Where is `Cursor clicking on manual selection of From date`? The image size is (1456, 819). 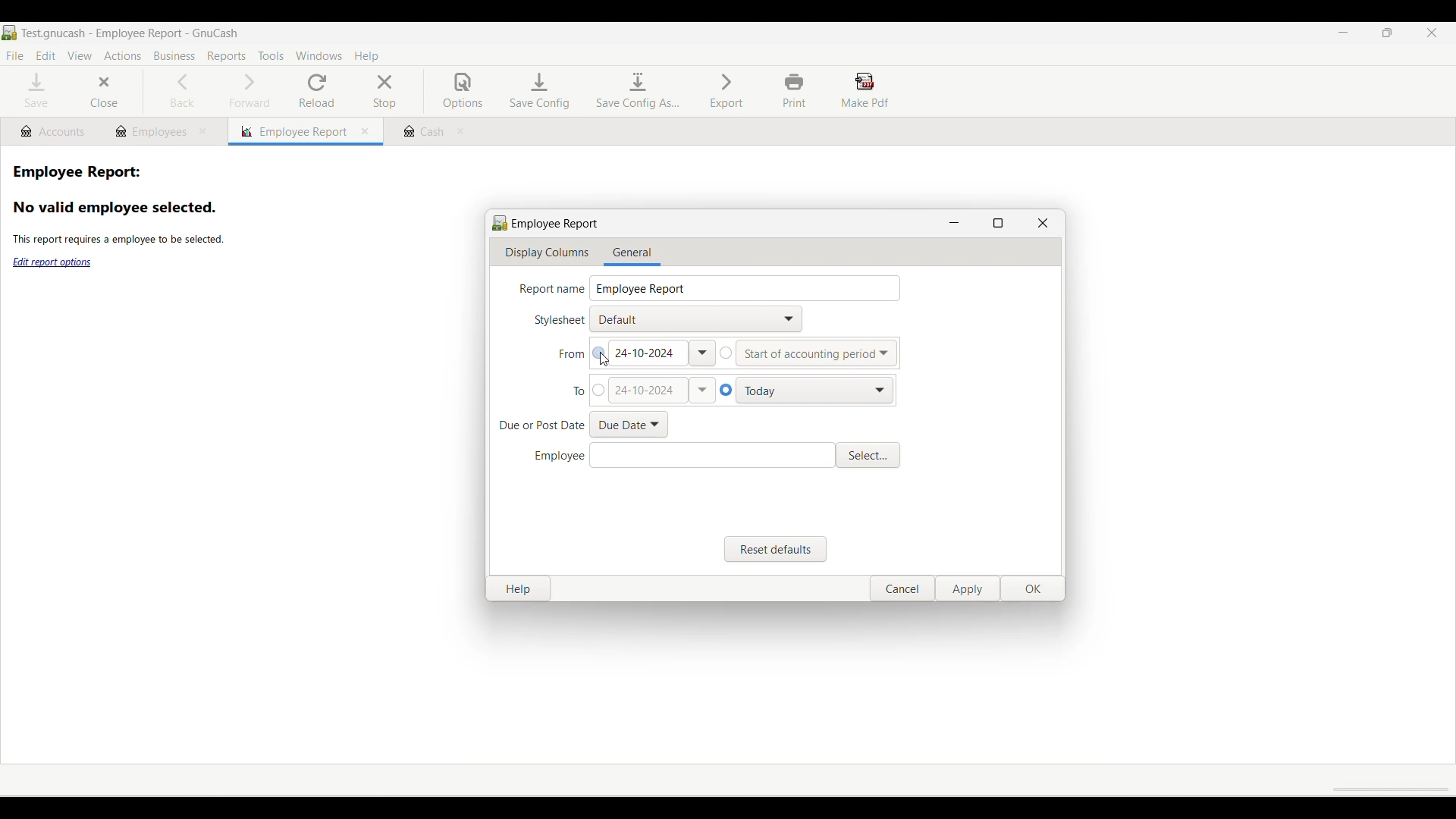 Cursor clicking on manual selection of From date is located at coordinates (604, 359).